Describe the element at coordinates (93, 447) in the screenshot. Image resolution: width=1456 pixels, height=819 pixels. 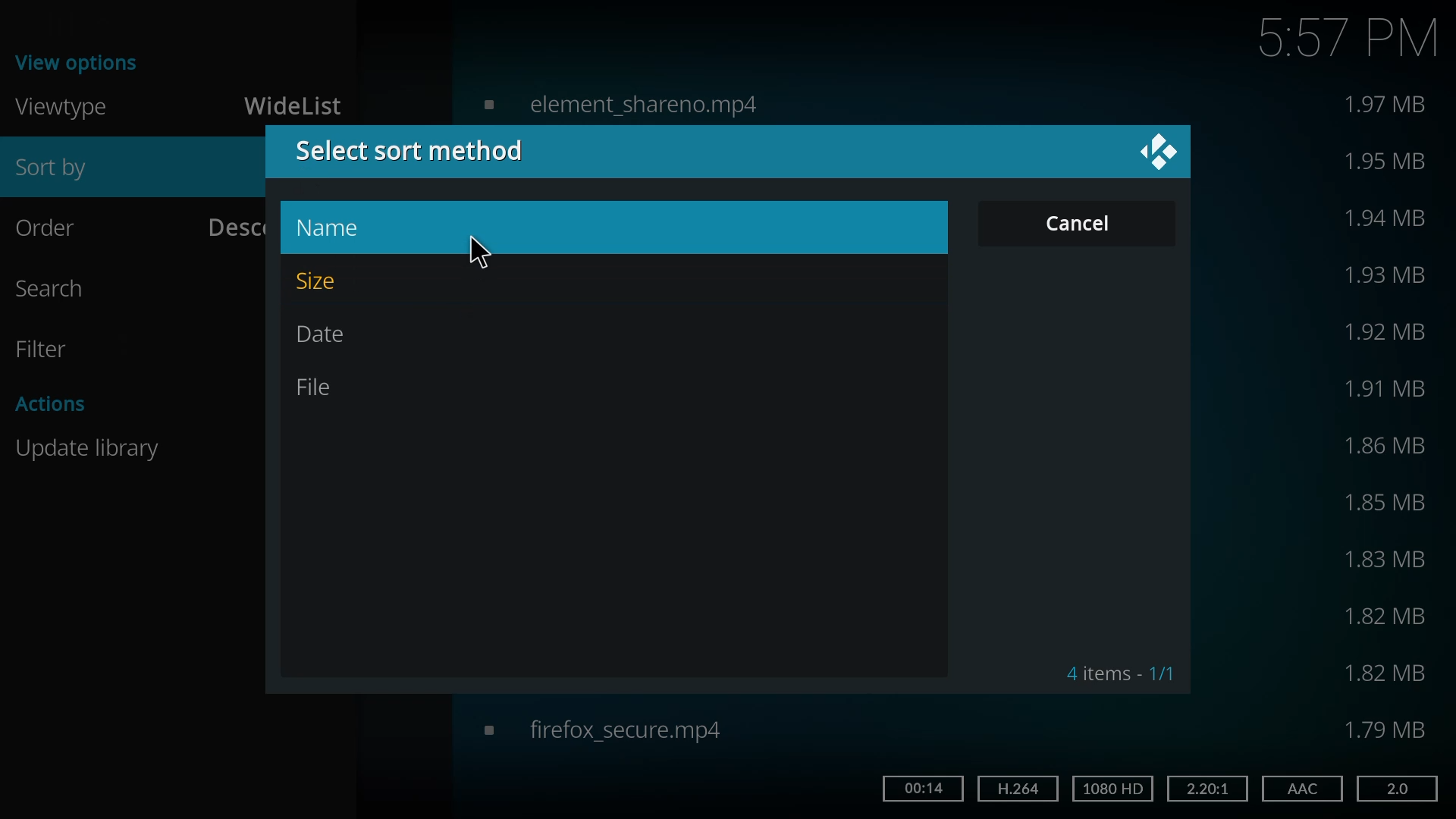
I see `update library` at that location.